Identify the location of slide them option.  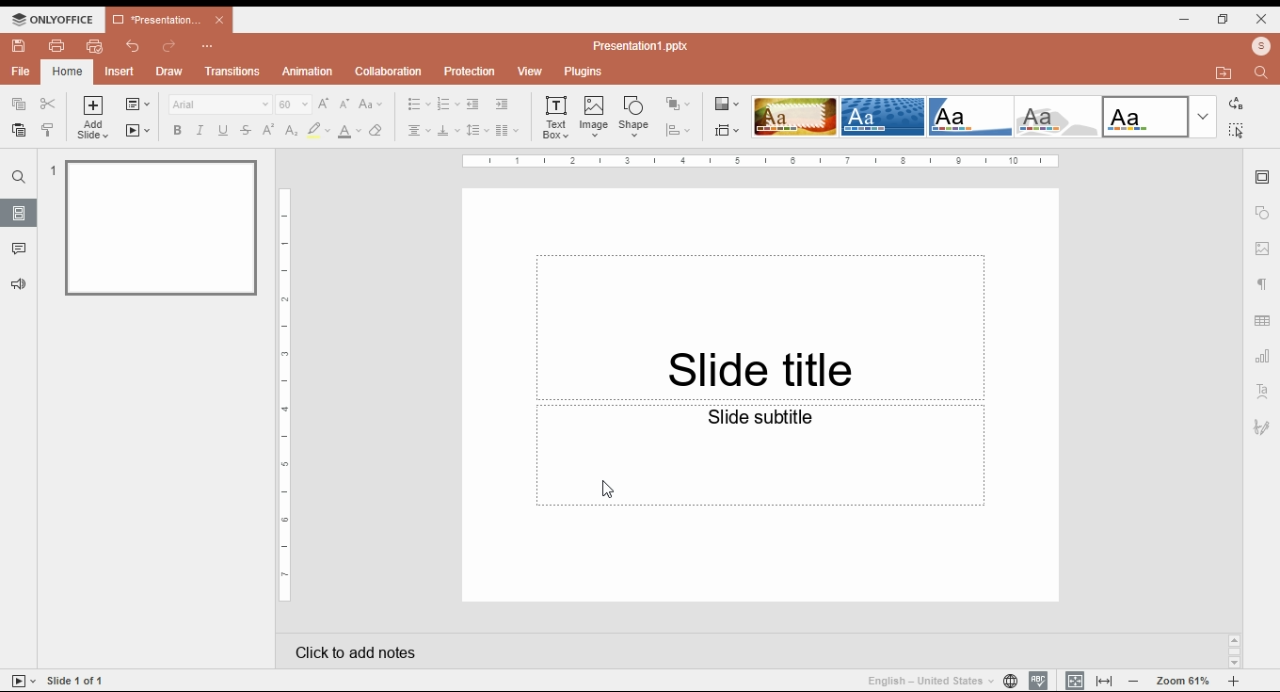
(1061, 117).